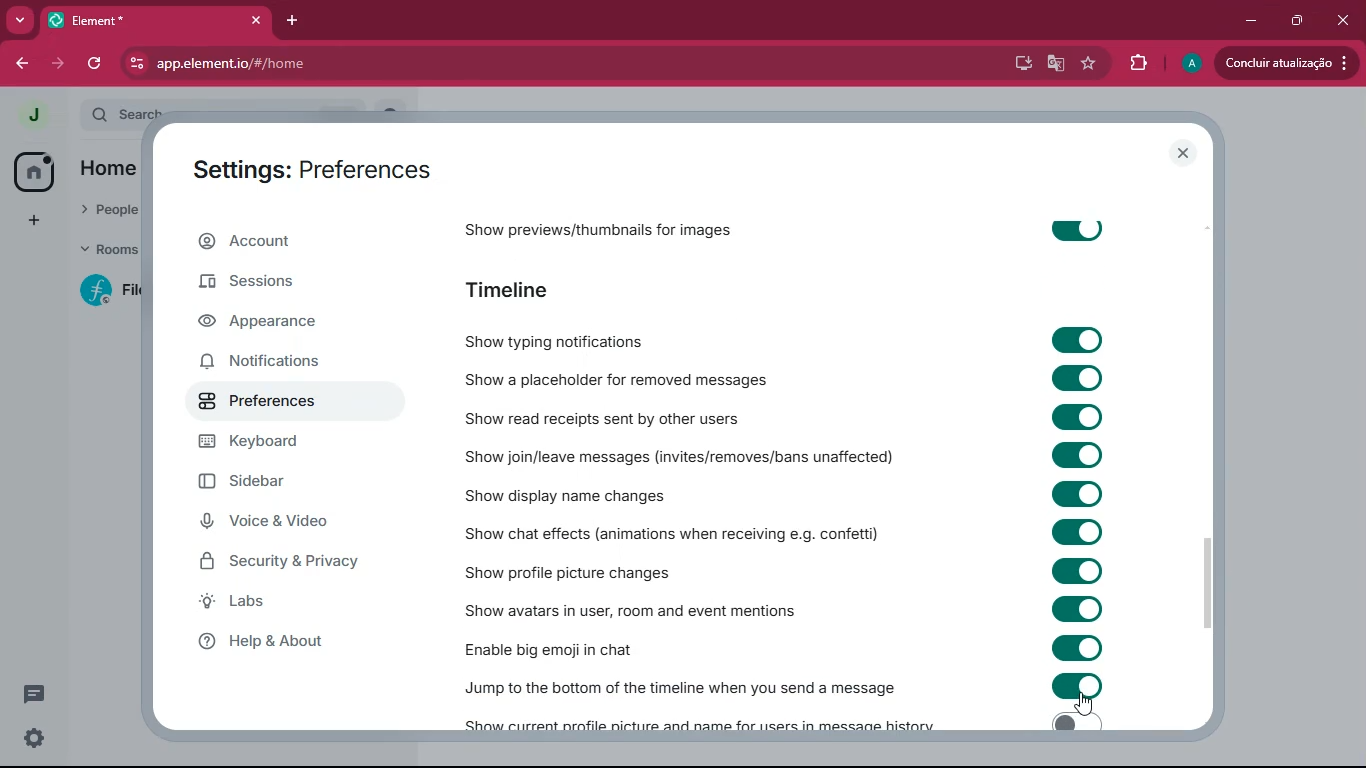 The image size is (1366, 768). I want to click on toggle on , so click(1076, 492).